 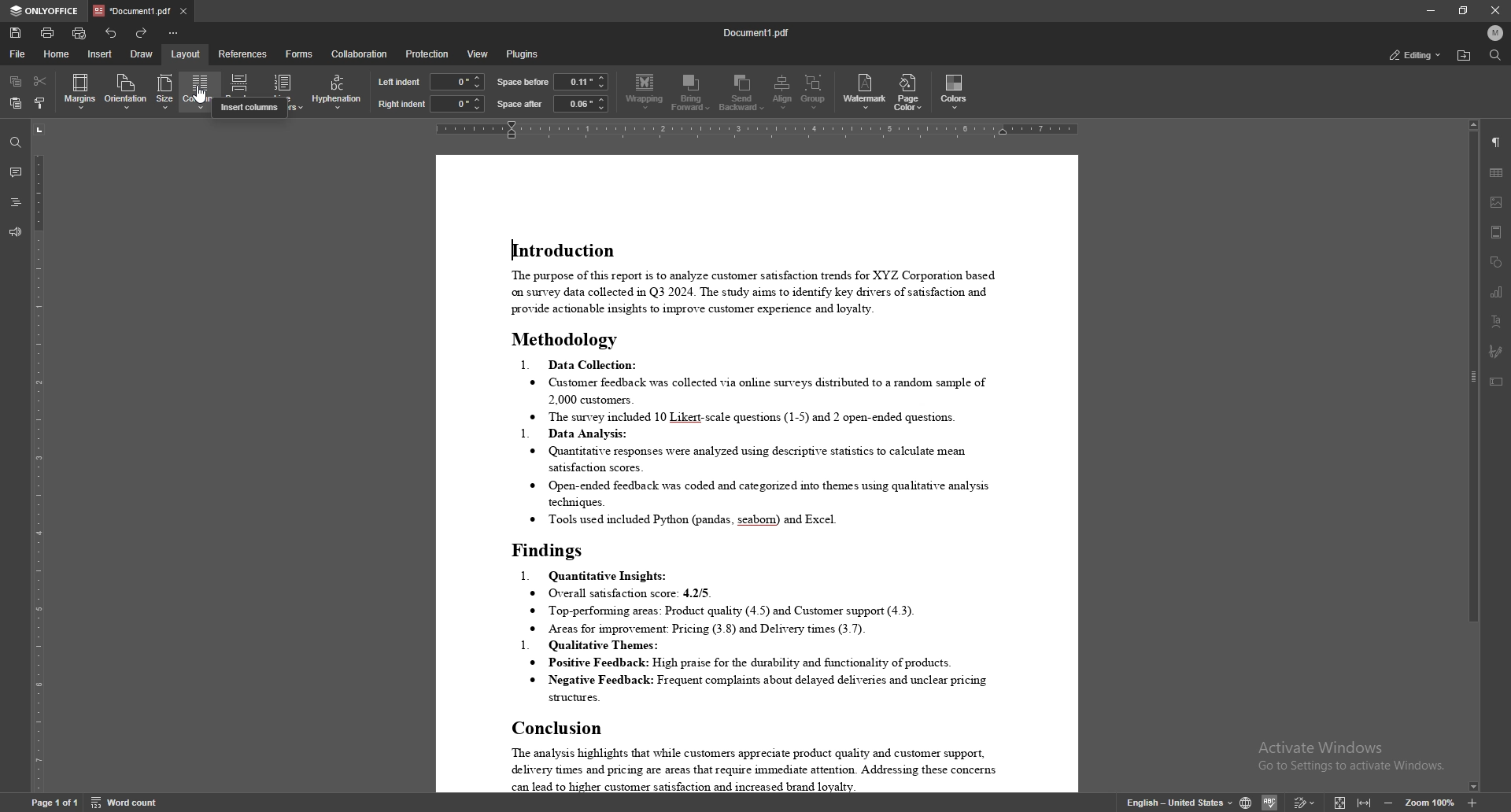 I want to click on forms, so click(x=299, y=54).